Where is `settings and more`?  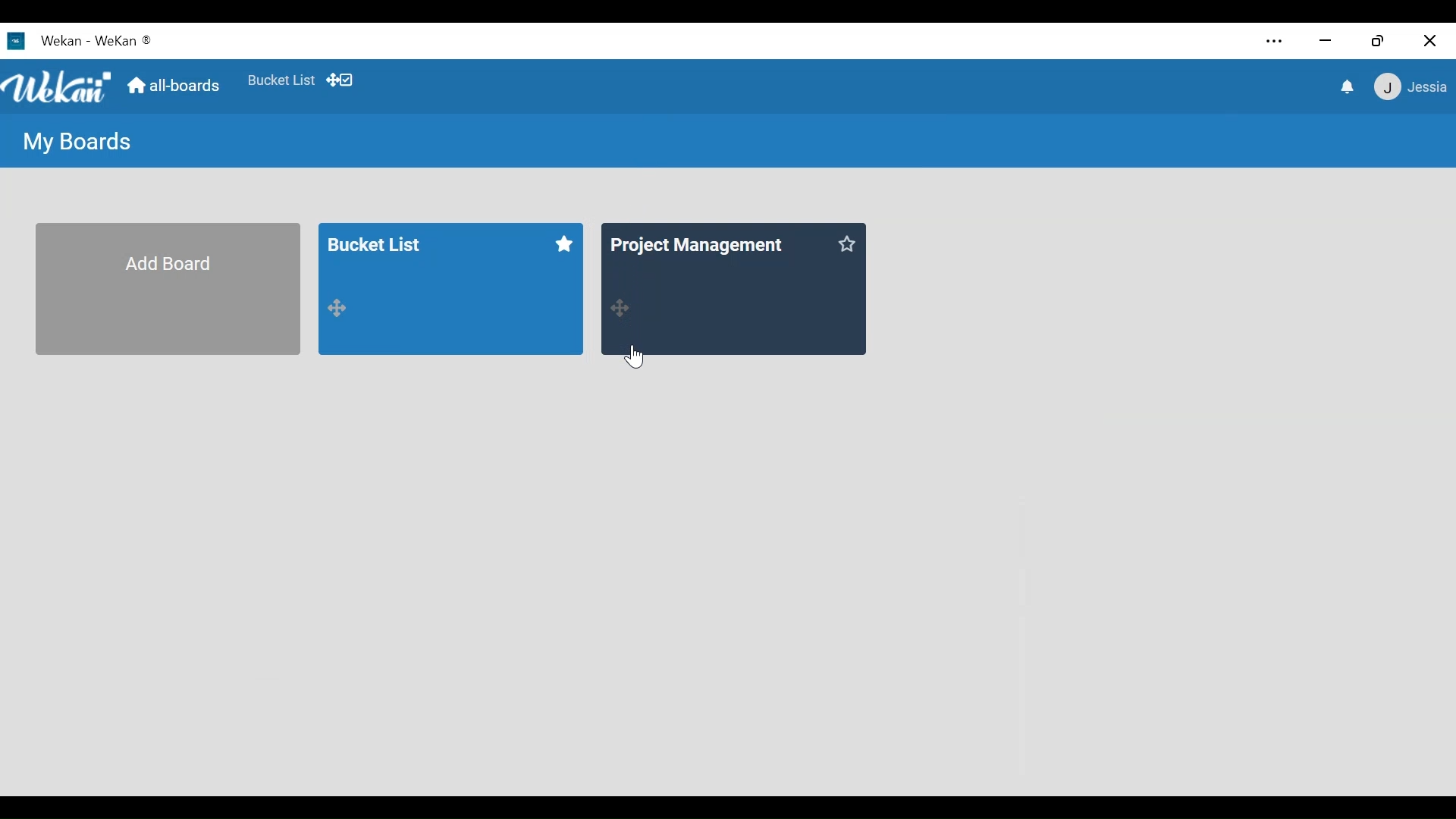 settings and more is located at coordinates (1276, 42).